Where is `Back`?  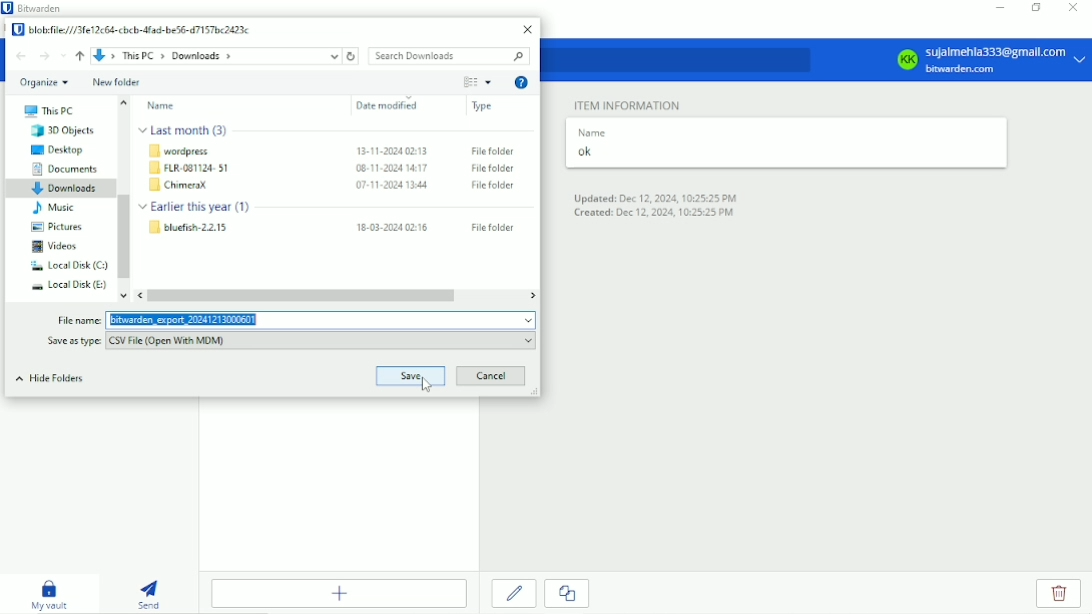 Back is located at coordinates (21, 56).